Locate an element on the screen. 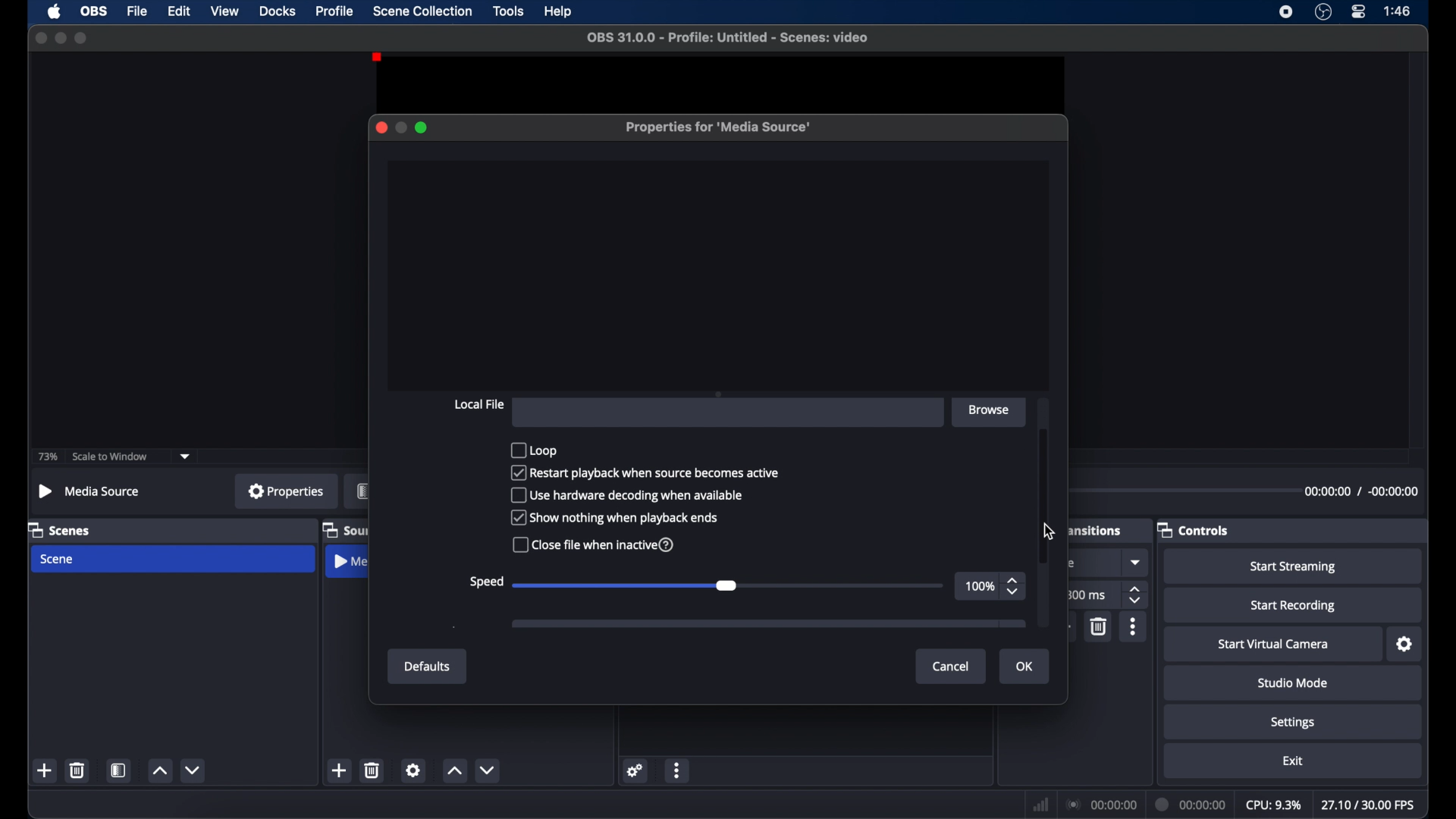  studio mode is located at coordinates (1294, 682).